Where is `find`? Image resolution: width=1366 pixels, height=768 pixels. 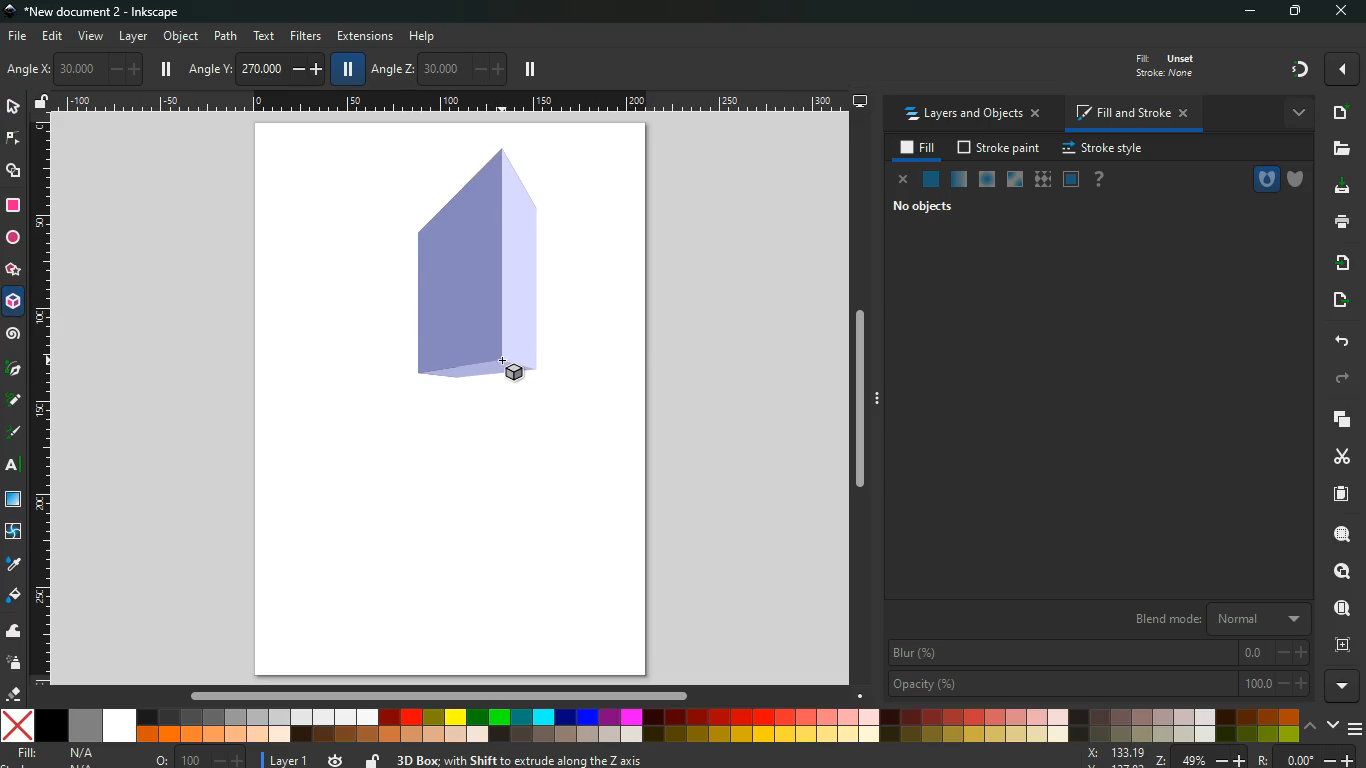
find is located at coordinates (1340, 609).